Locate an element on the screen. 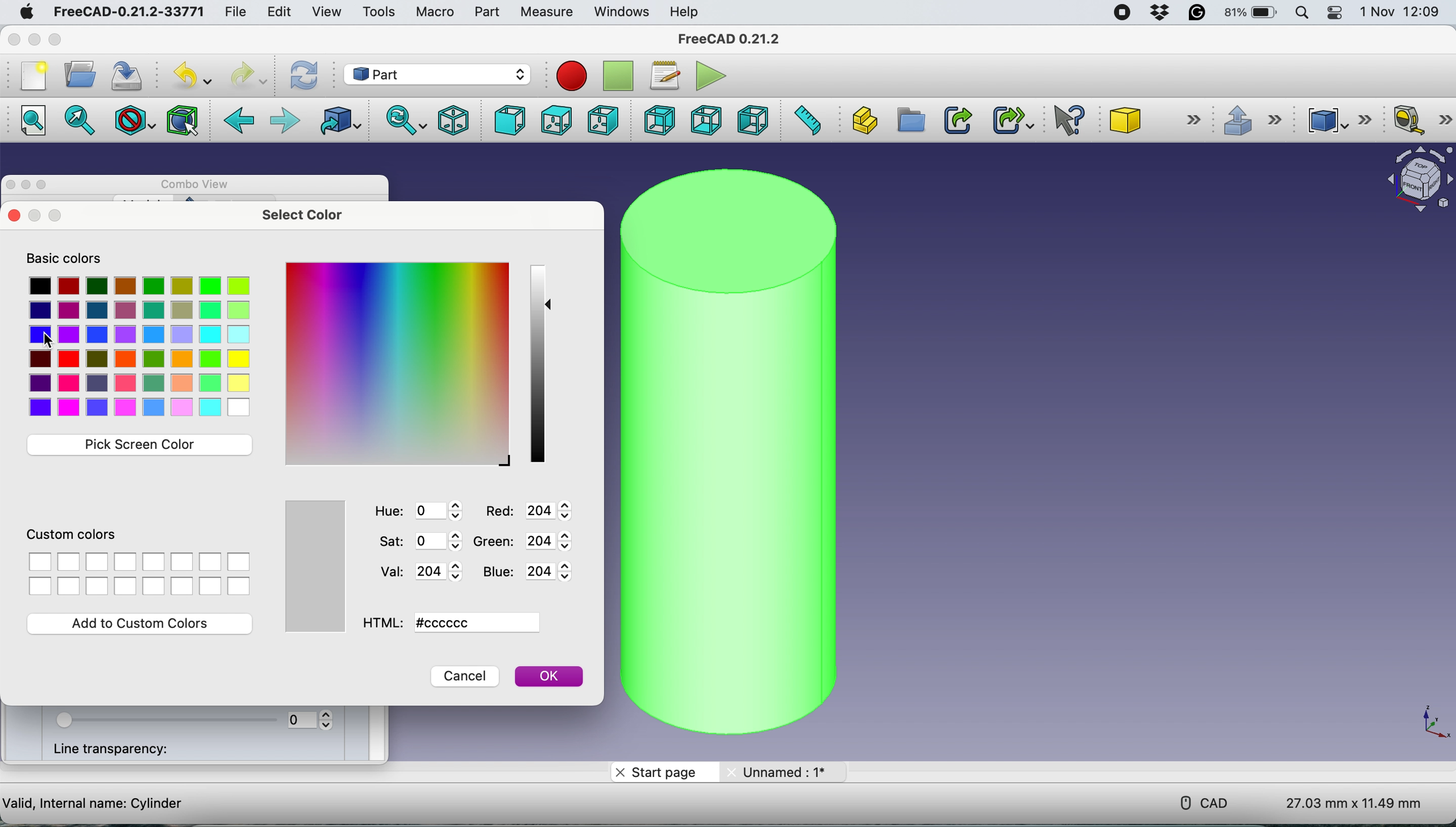 The width and height of the screenshot is (1456, 827). macros is located at coordinates (664, 77).